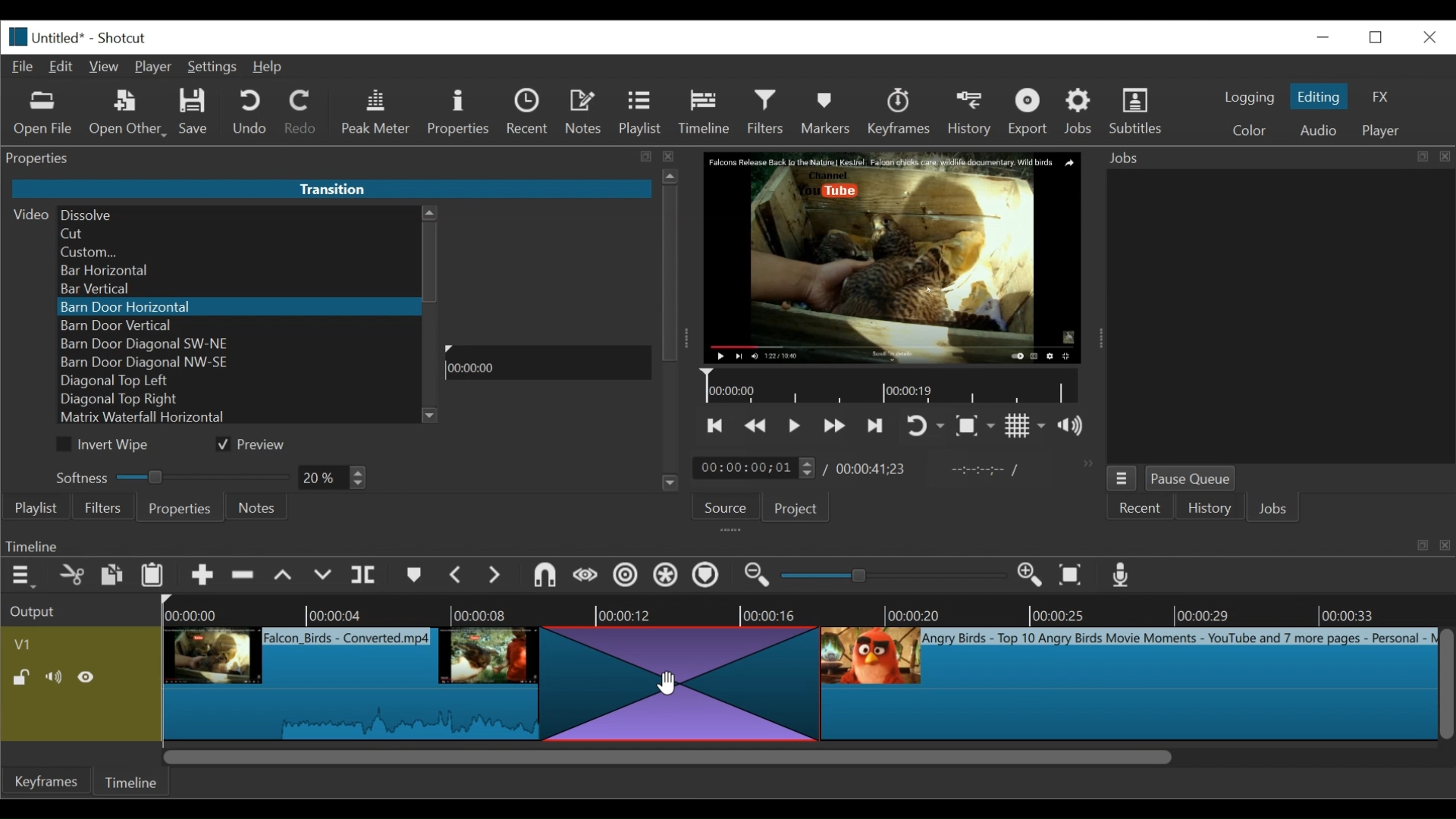 The image size is (1456, 819). Describe the element at coordinates (625, 576) in the screenshot. I see `Ripple` at that location.